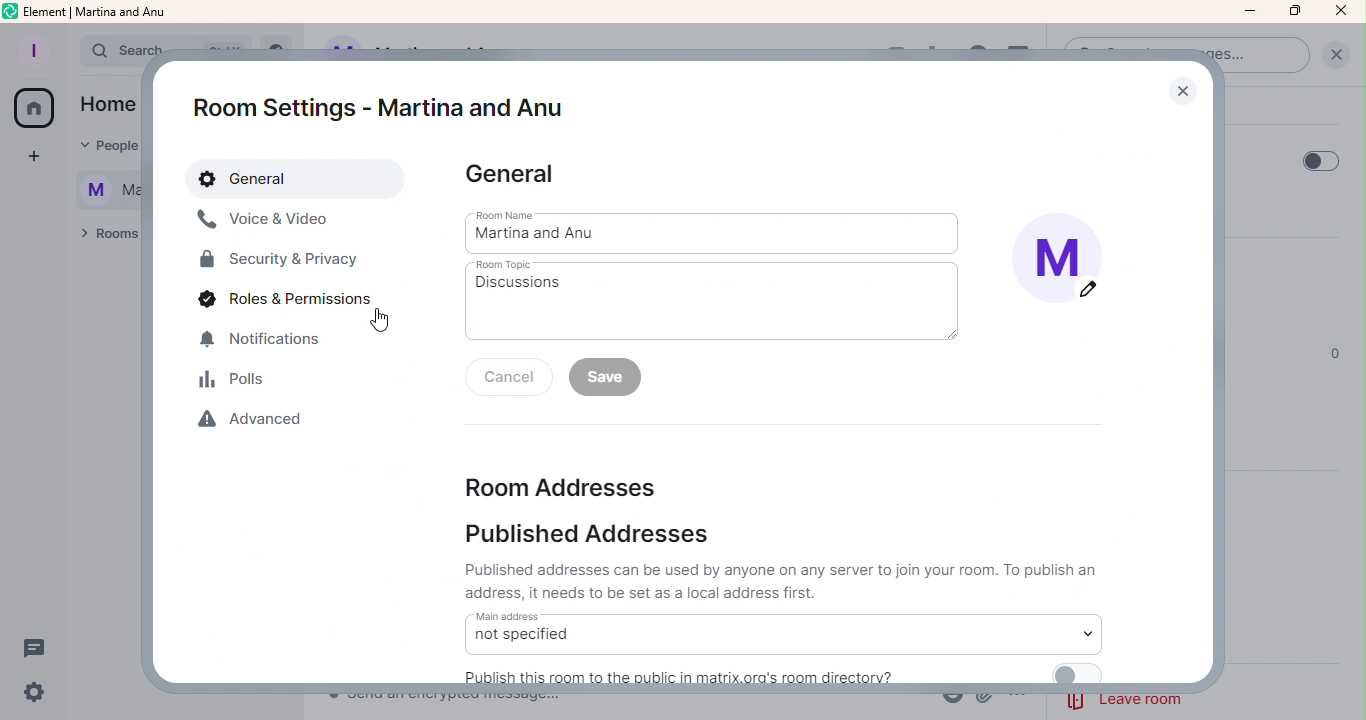 This screenshot has width=1366, height=720. Describe the element at coordinates (1335, 54) in the screenshot. I see `Clear Search` at that location.